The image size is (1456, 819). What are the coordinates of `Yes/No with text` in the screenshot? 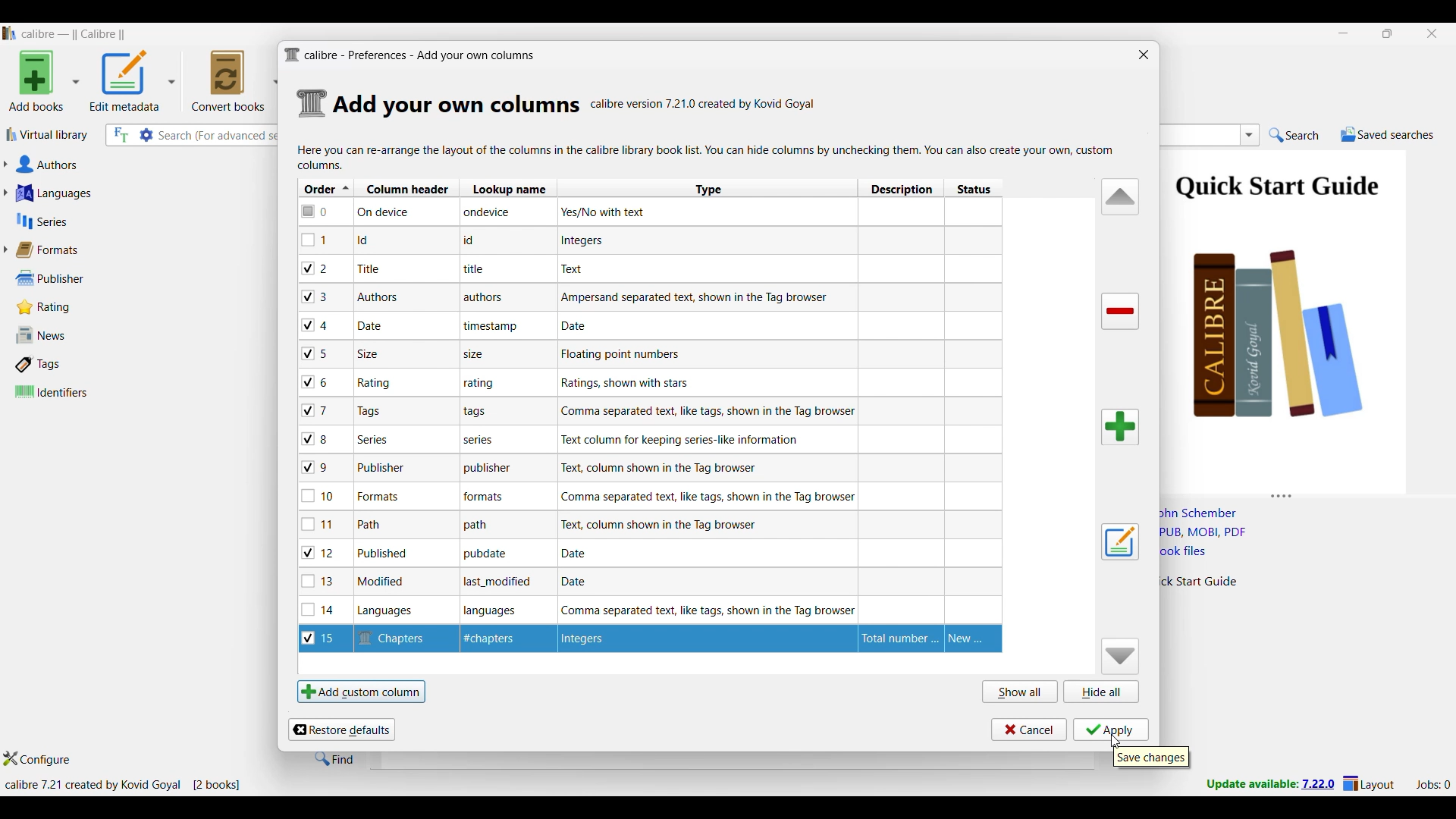 It's located at (609, 212).